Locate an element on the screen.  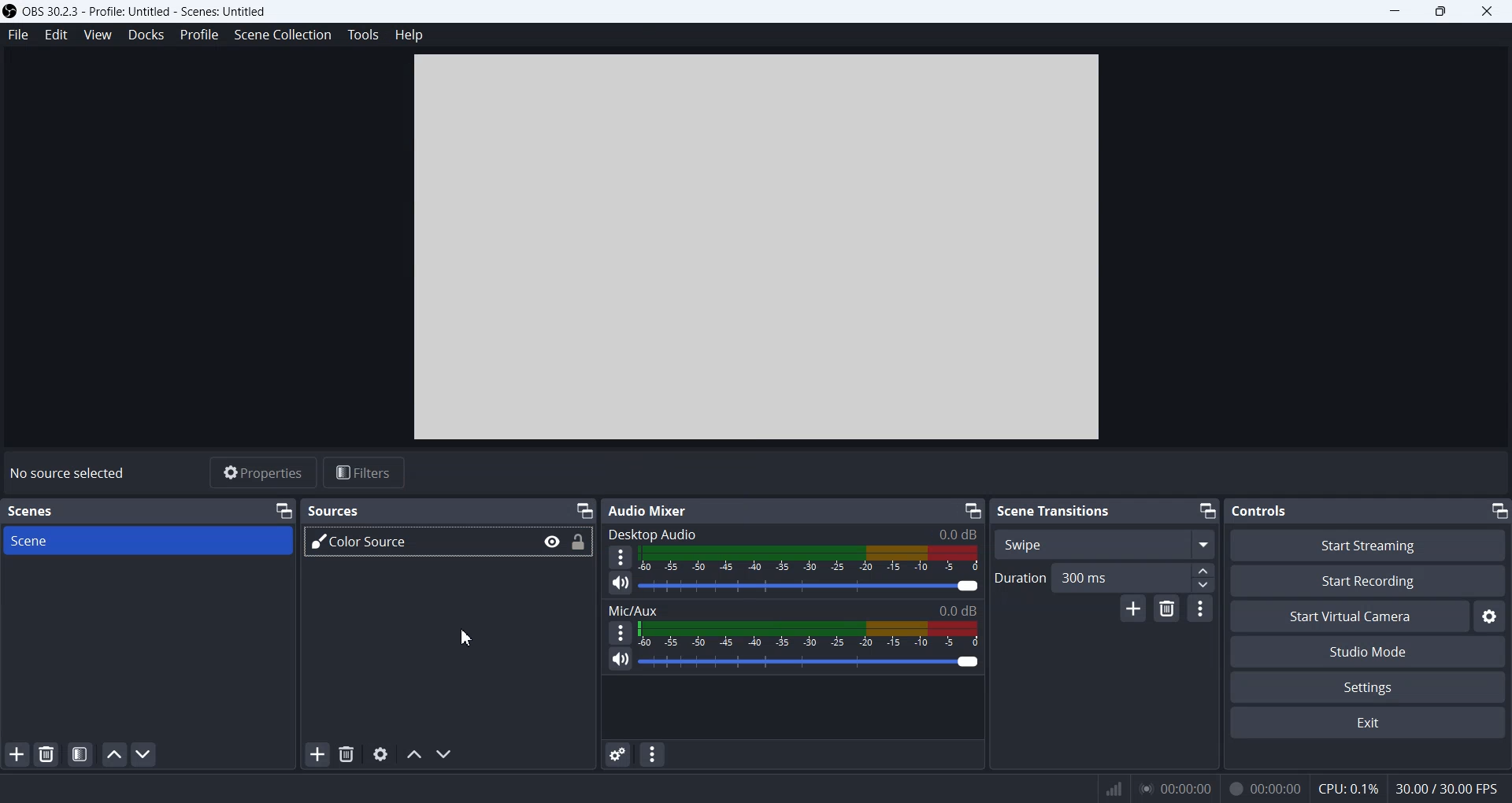
Advance Audio Properties is located at coordinates (617, 754).